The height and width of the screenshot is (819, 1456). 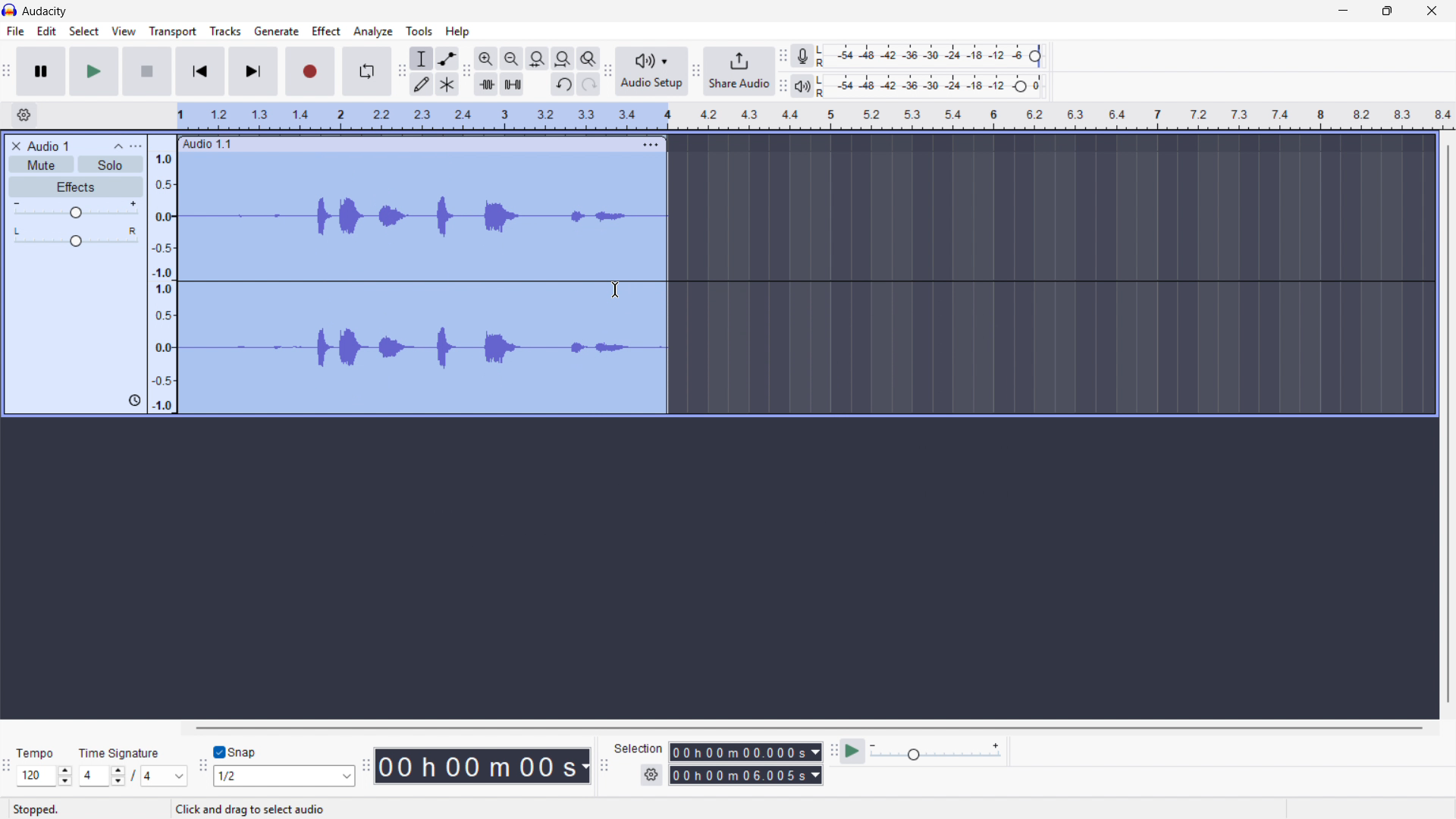 I want to click on Transport, so click(x=173, y=32).